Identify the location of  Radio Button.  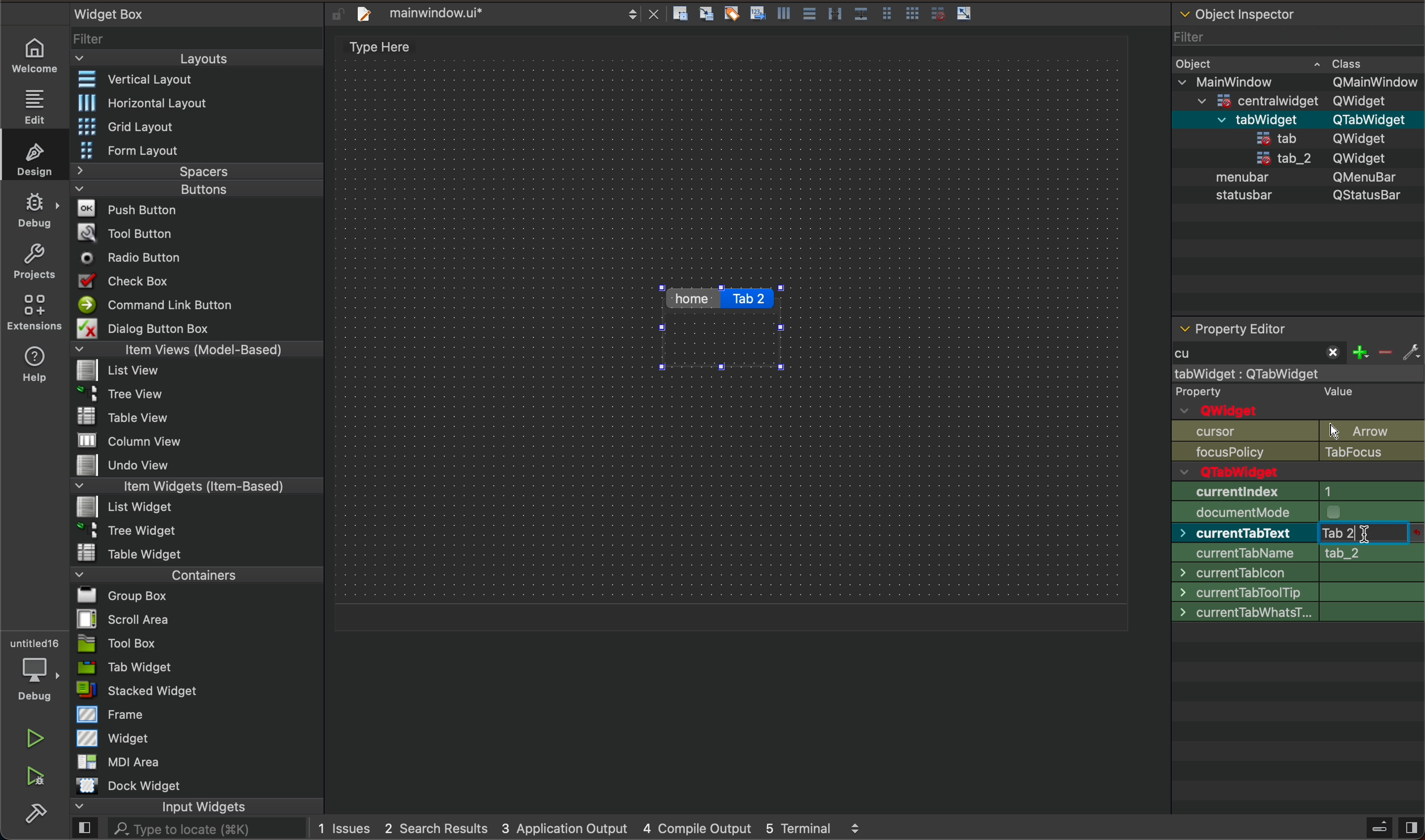
(125, 258).